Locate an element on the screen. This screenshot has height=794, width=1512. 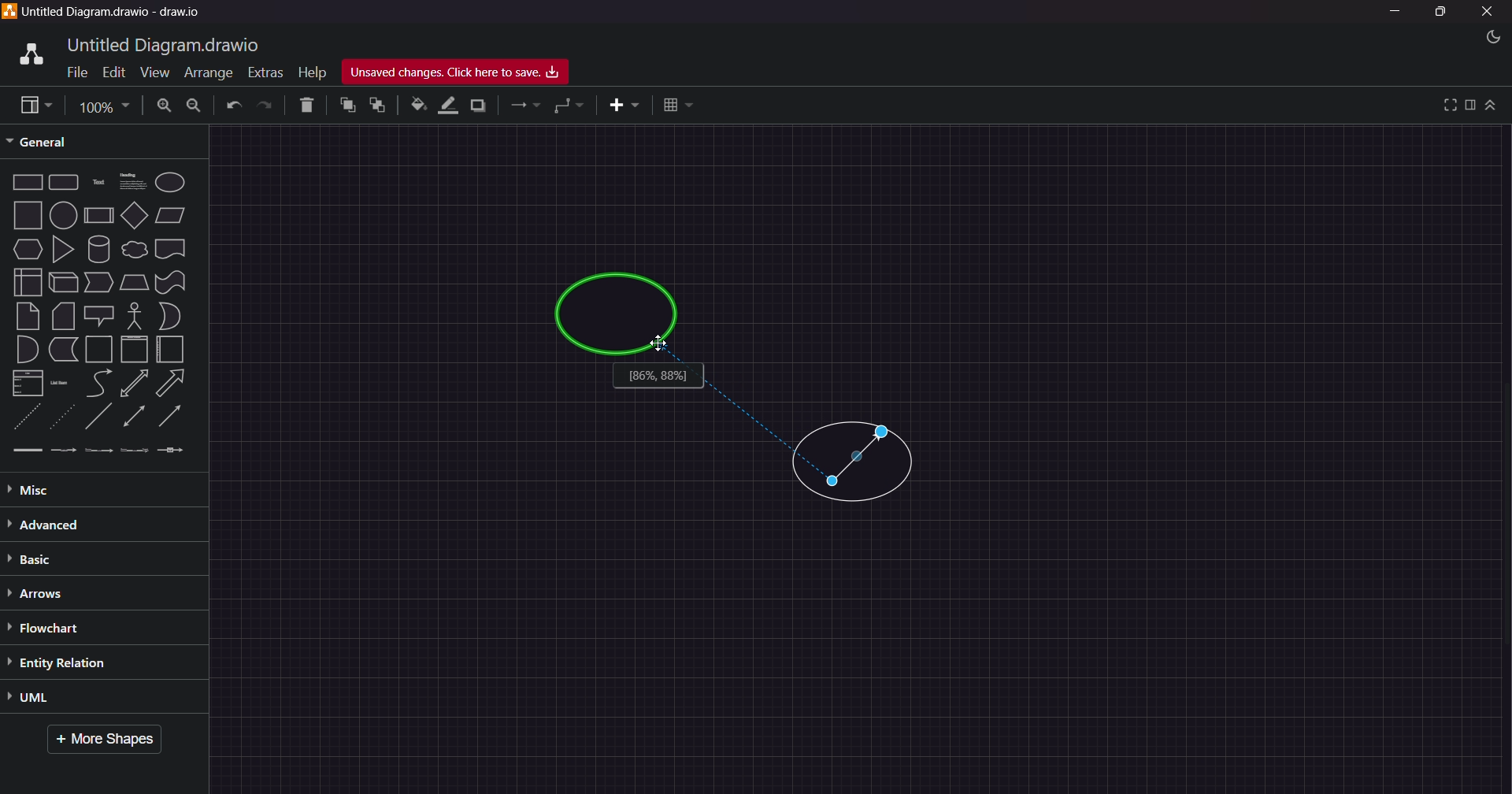
information is located at coordinates (659, 378).